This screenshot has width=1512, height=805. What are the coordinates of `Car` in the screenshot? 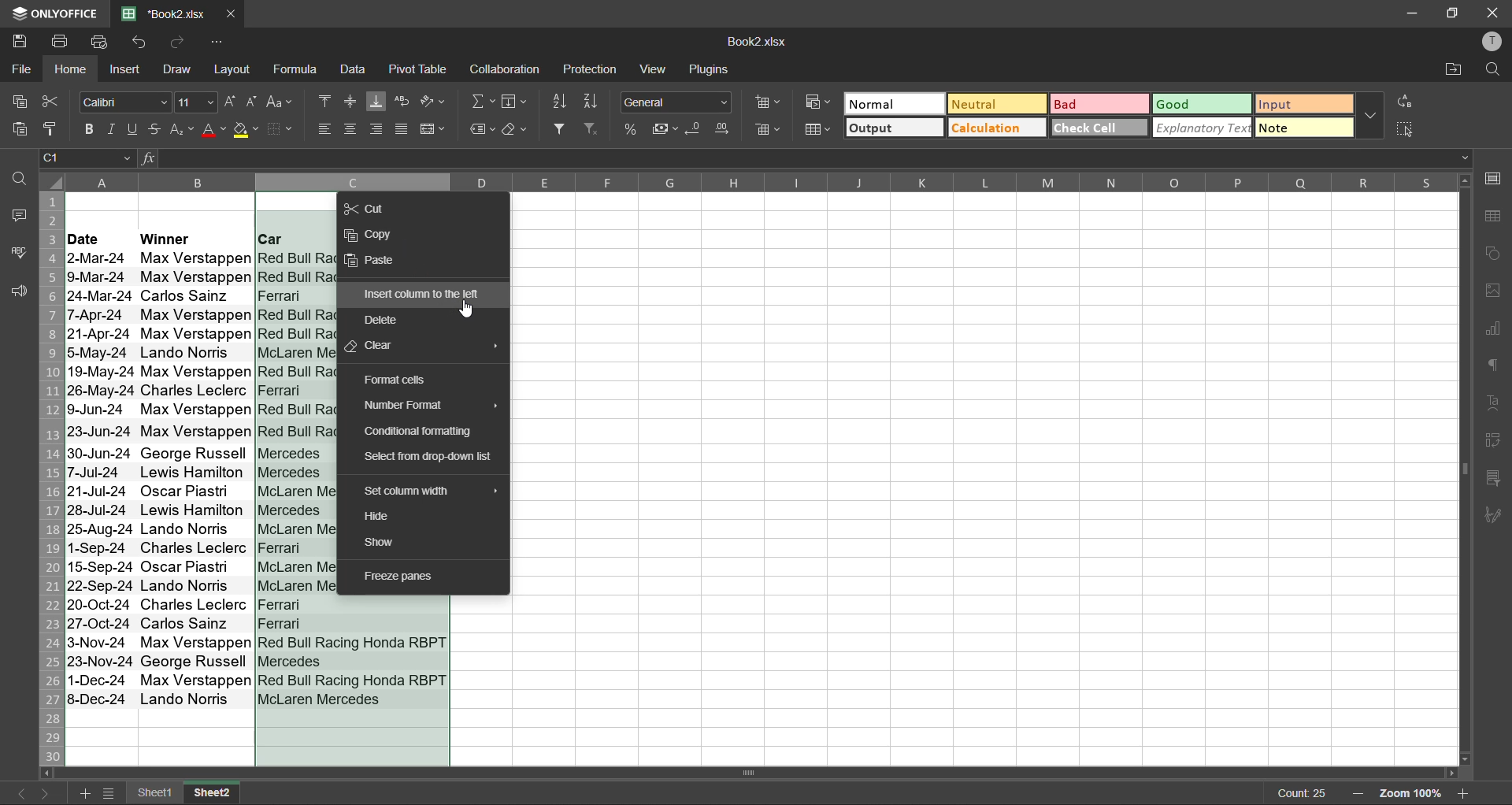 It's located at (295, 238).